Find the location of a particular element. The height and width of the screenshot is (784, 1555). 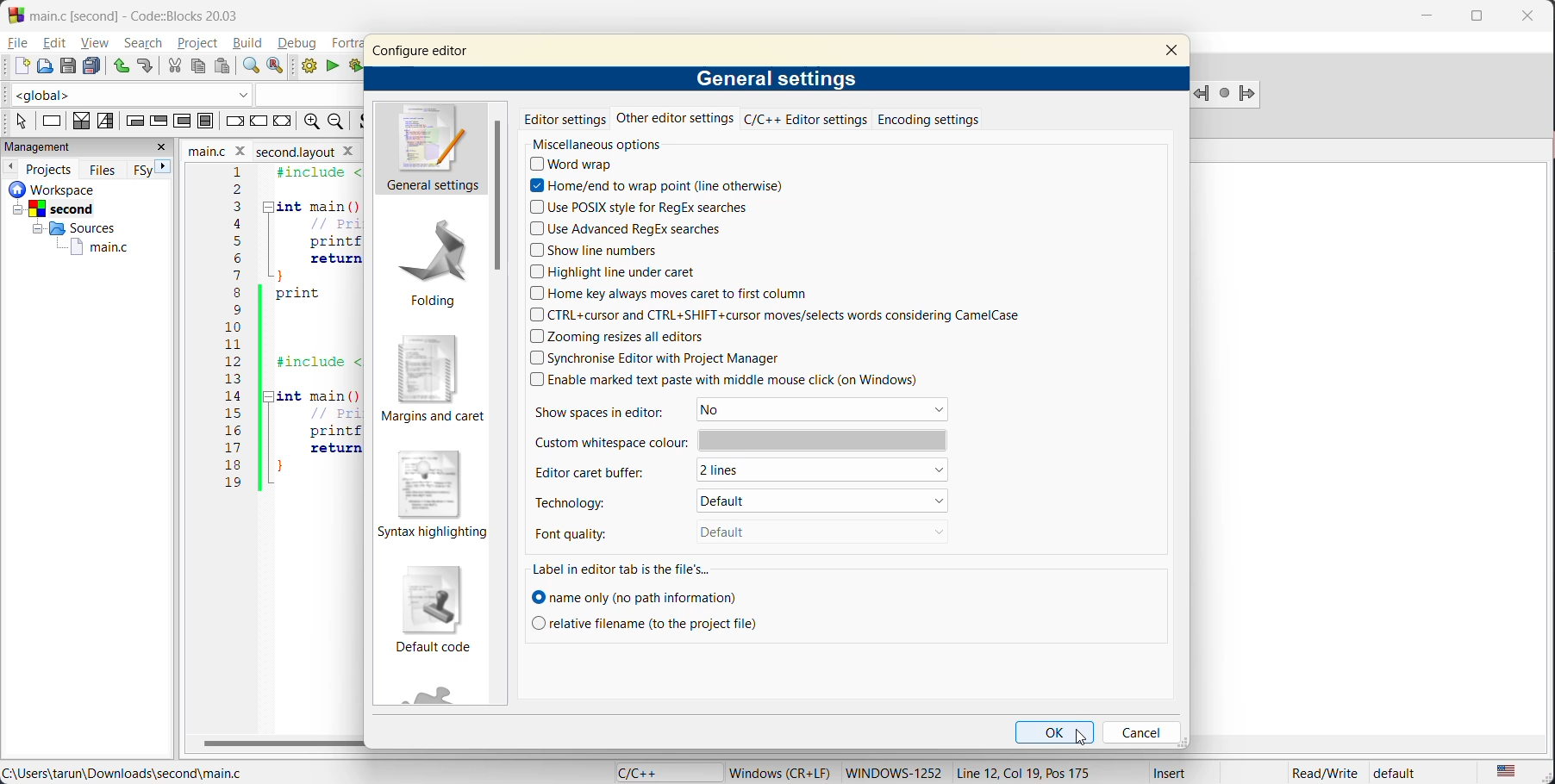

return instruction is located at coordinates (283, 121).